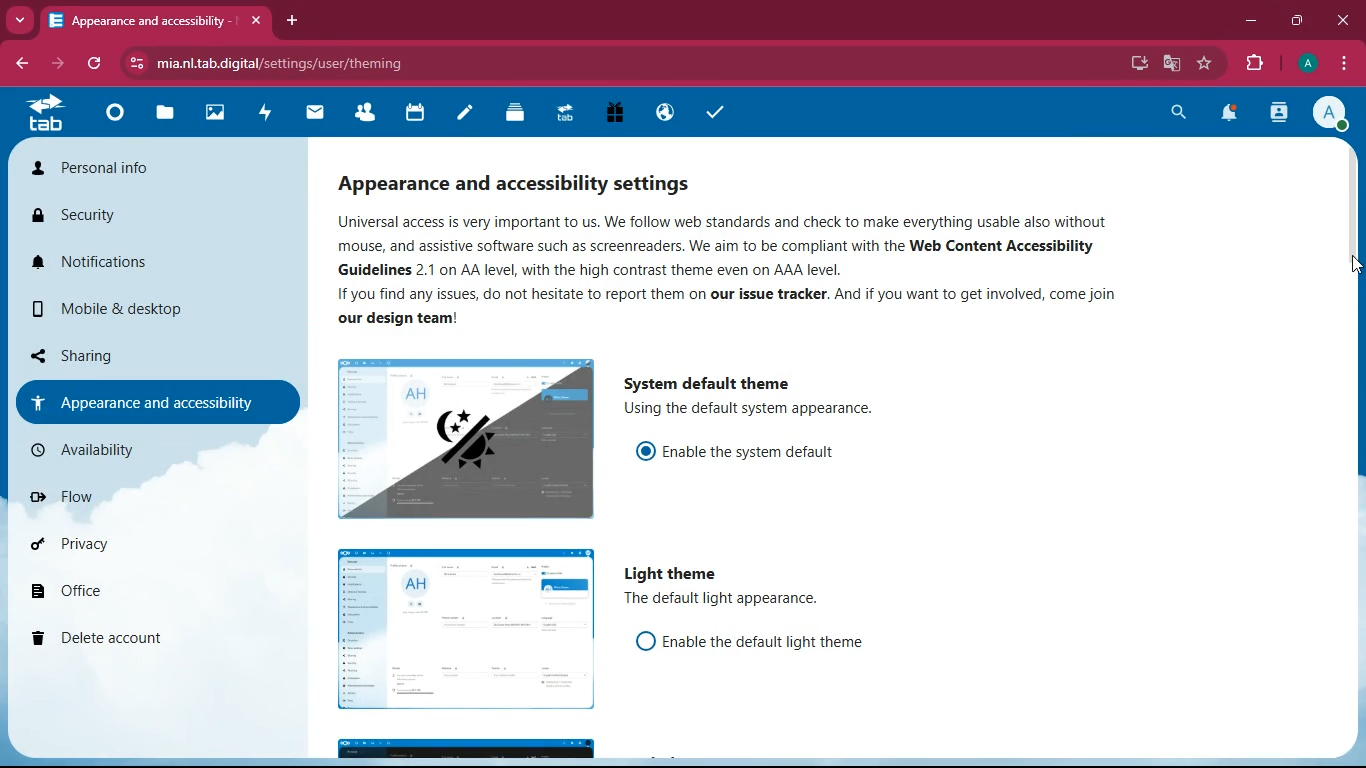 Image resolution: width=1366 pixels, height=768 pixels. What do you see at coordinates (711, 112) in the screenshot?
I see `task` at bounding box center [711, 112].